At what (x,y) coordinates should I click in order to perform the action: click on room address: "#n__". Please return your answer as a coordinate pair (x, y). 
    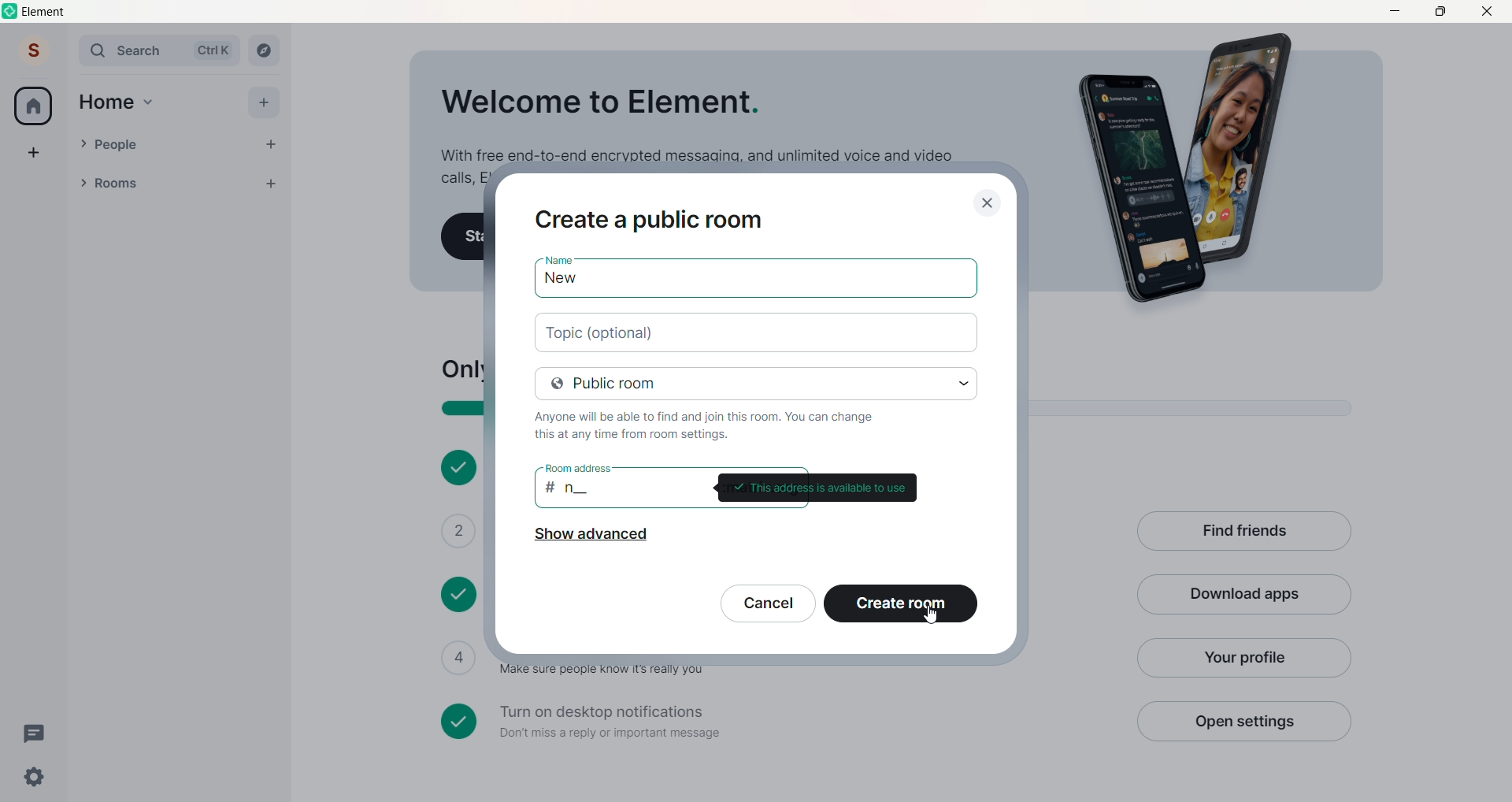
    Looking at the image, I should click on (615, 491).